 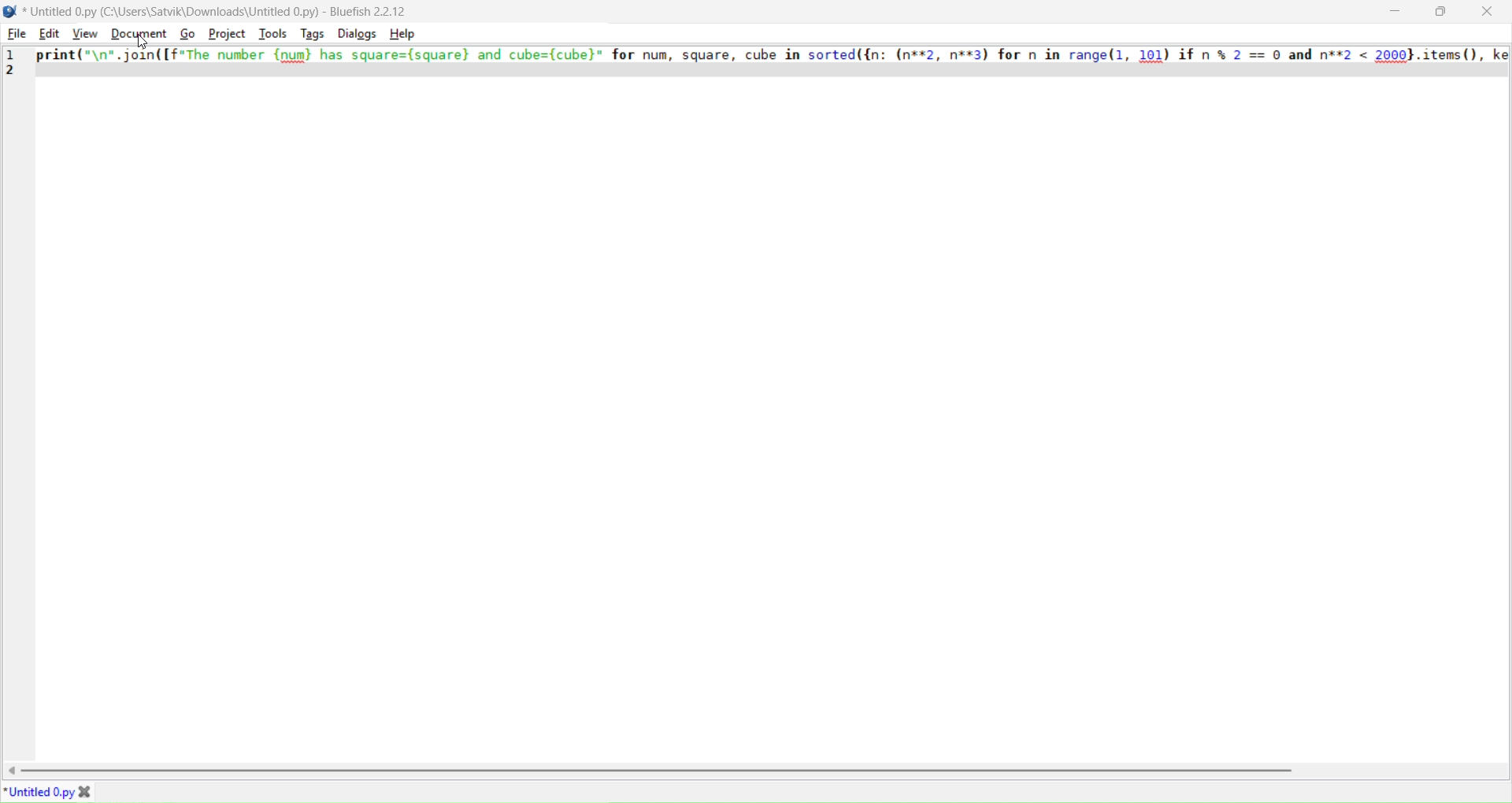 What do you see at coordinates (356, 33) in the screenshot?
I see `Dialogs` at bounding box center [356, 33].